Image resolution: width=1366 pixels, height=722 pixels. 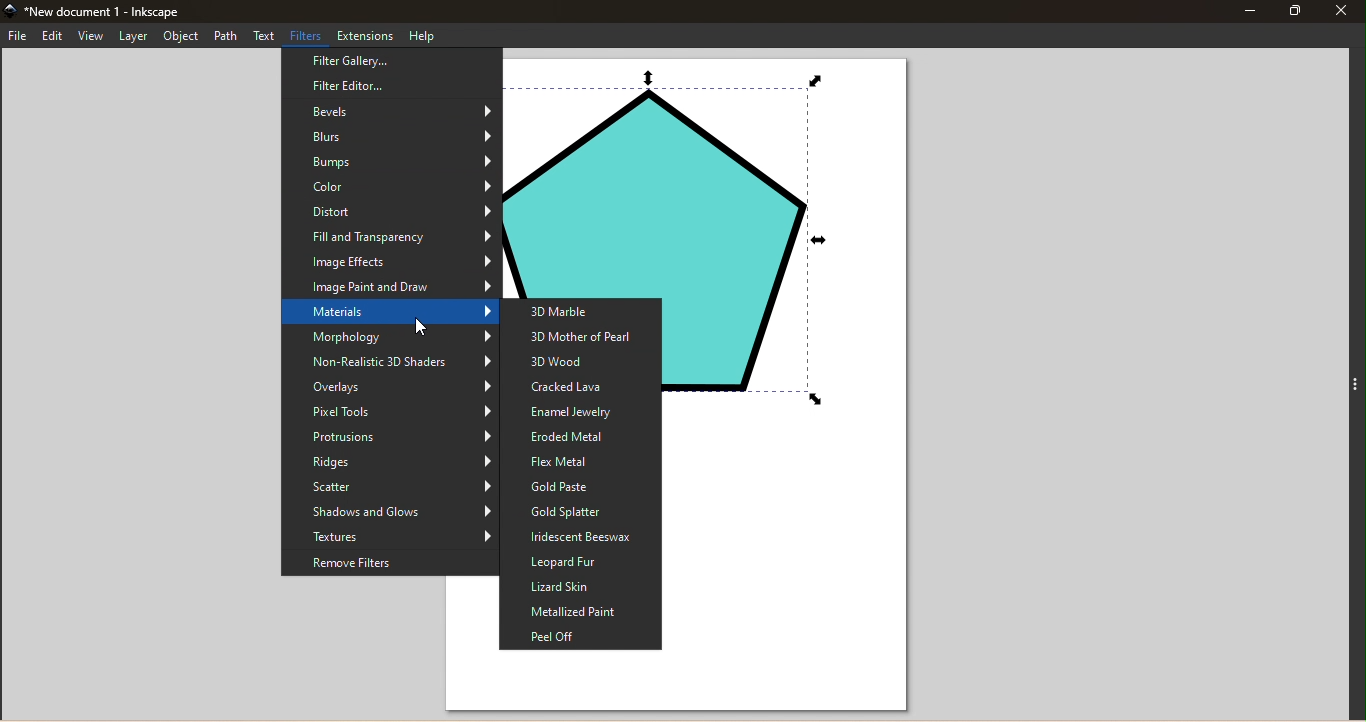 I want to click on Overlays, so click(x=389, y=389).